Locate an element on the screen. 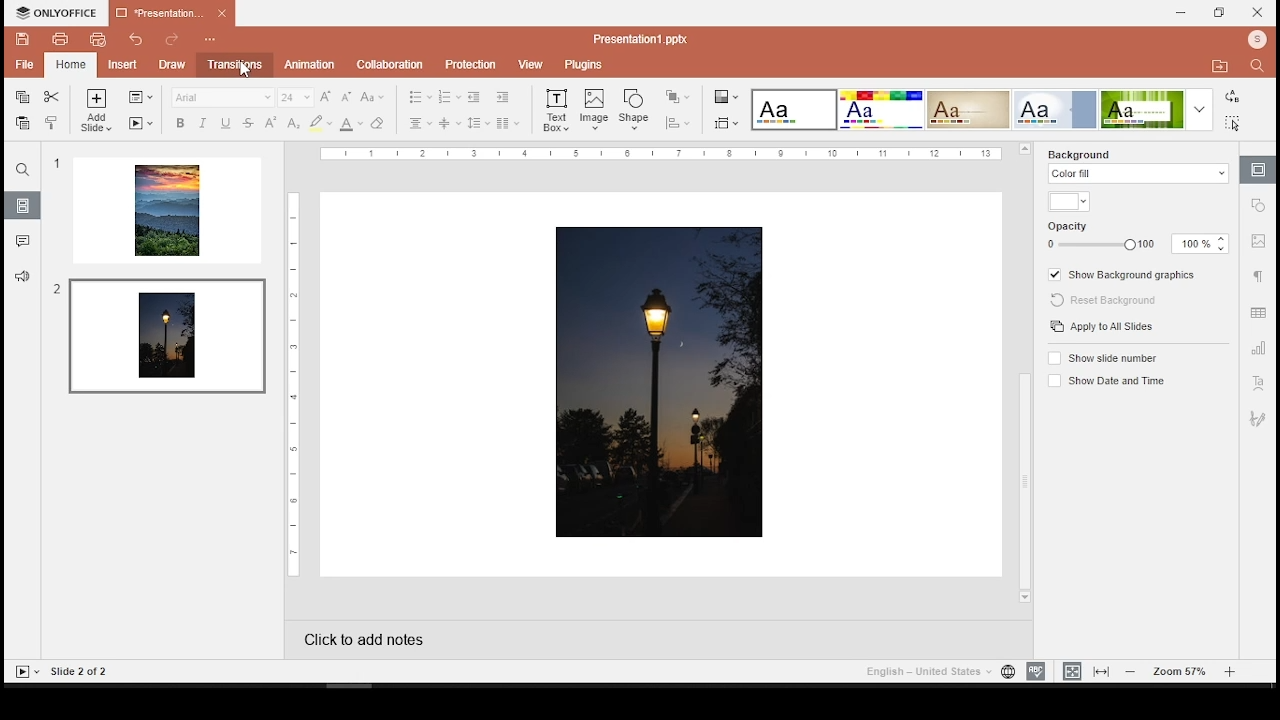 The width and height of the screenshot is (1280, 720). onlyoffice is located at coordinates (53, 12).